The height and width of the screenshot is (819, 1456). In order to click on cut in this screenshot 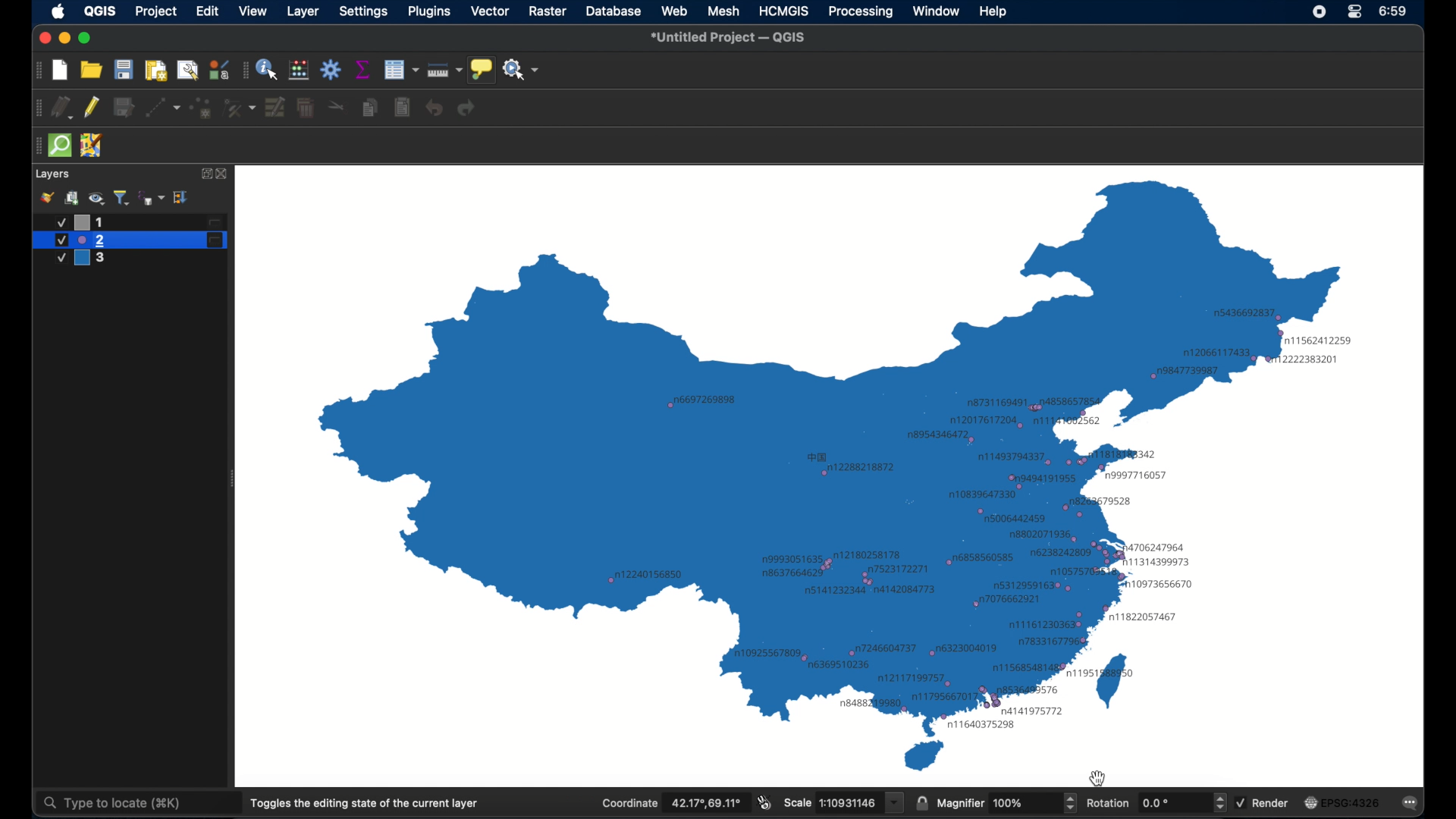, I will do `click(338, 105)`.